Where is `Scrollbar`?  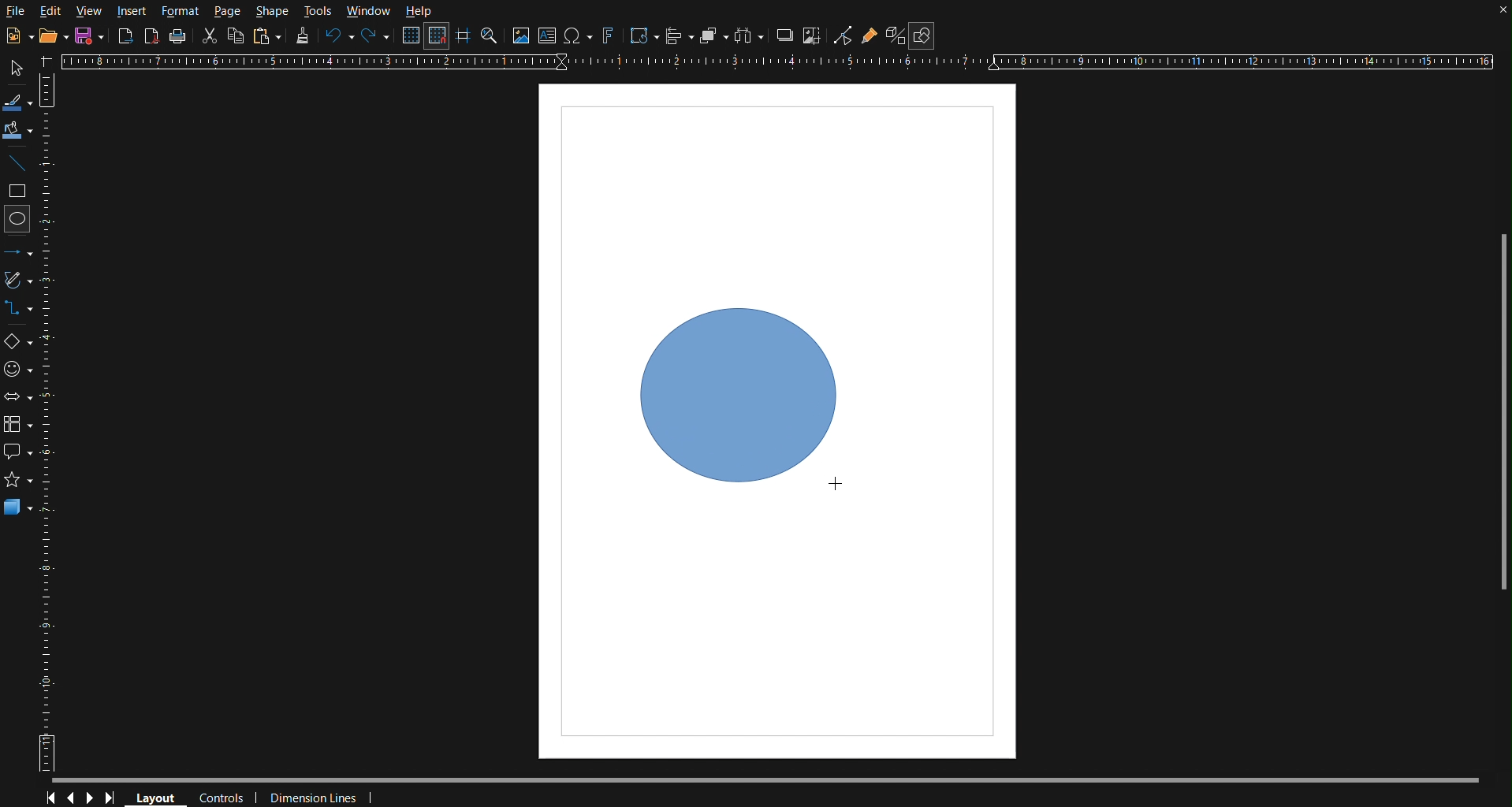 Scrollbar is located at coordinates (778, 775).